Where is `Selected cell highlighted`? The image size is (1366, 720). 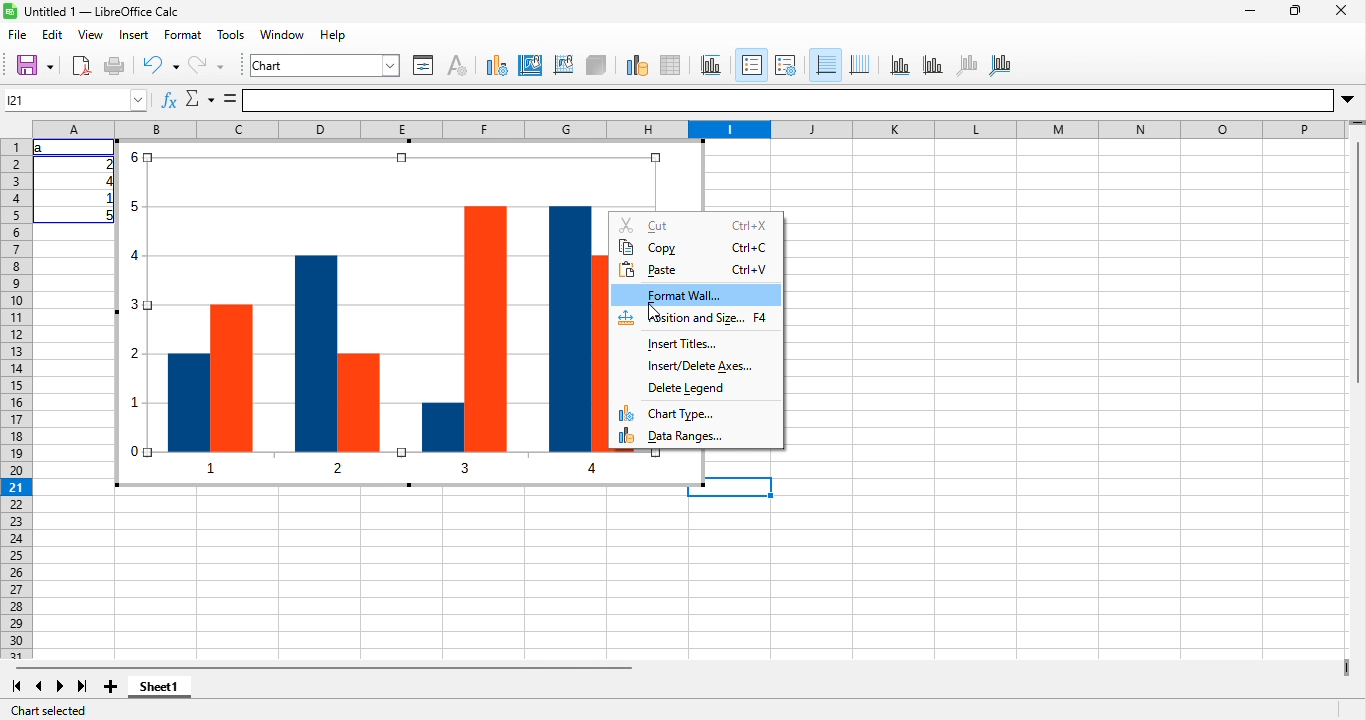 Selected cell highlighted is located at coordinates (740, 487).